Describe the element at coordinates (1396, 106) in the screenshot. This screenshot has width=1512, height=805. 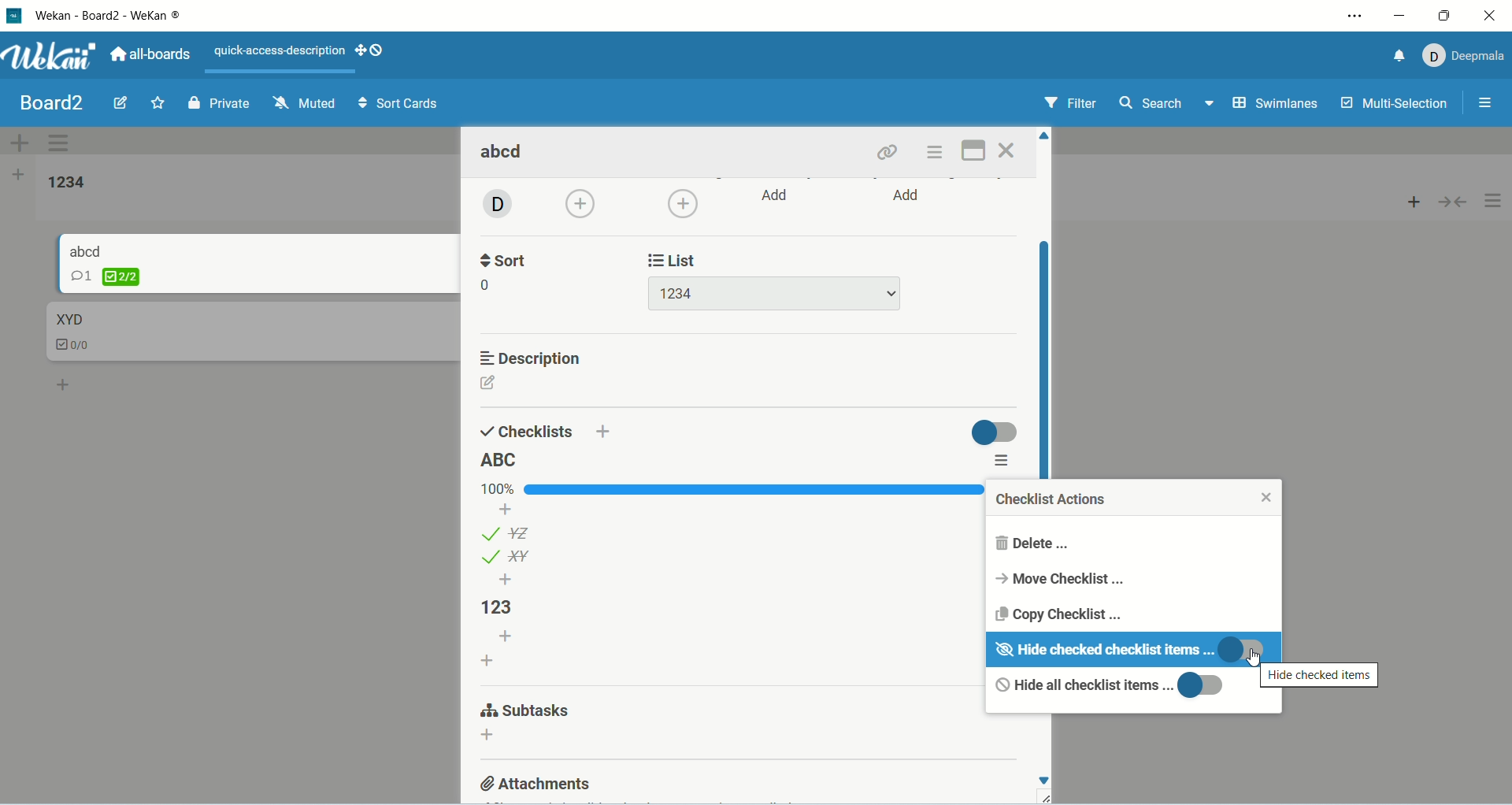
I see `multi-selection` at that location.